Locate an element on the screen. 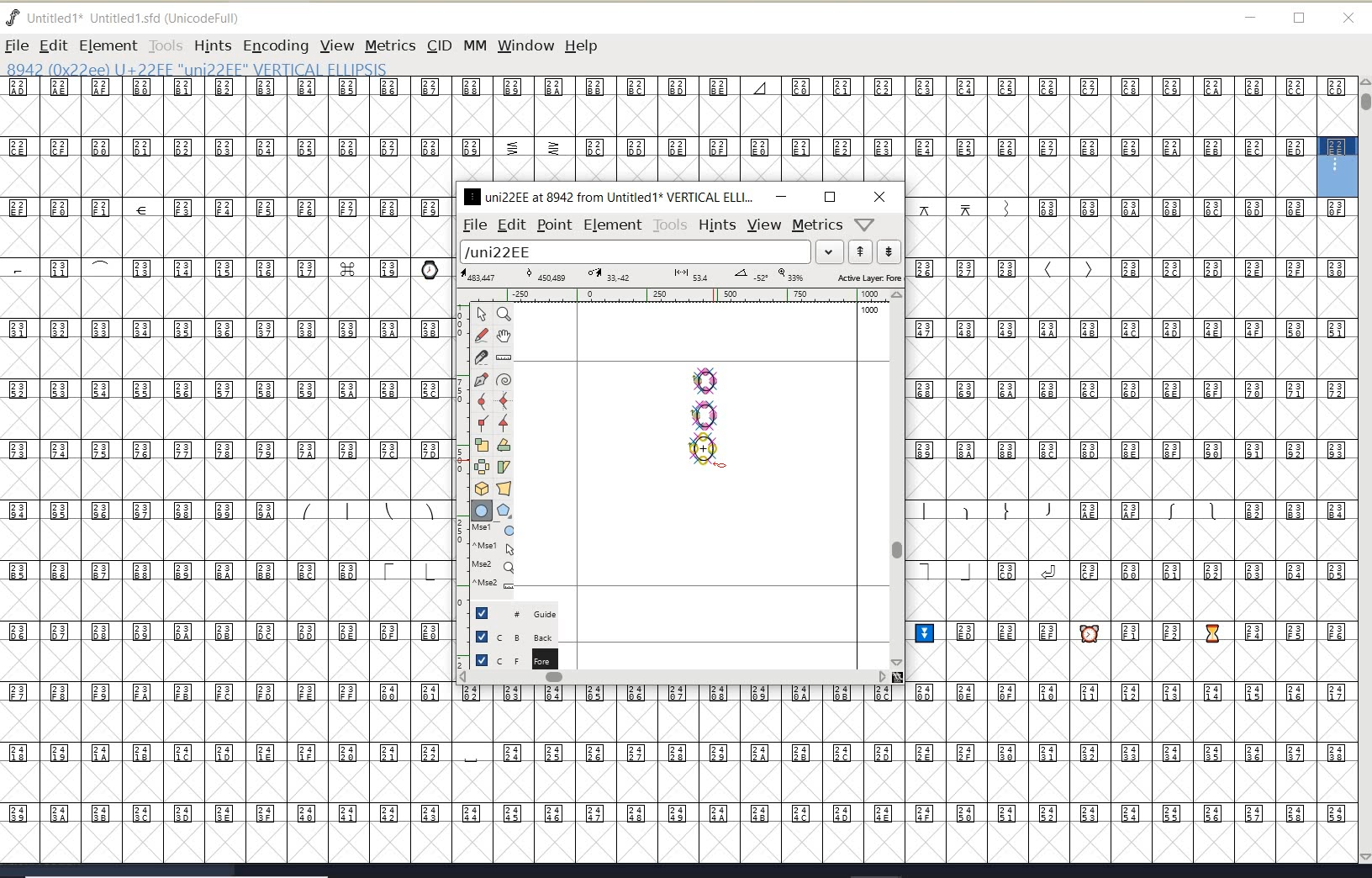 The image size is (1372, 878). scrollbar is located at coordinates (895, 479).